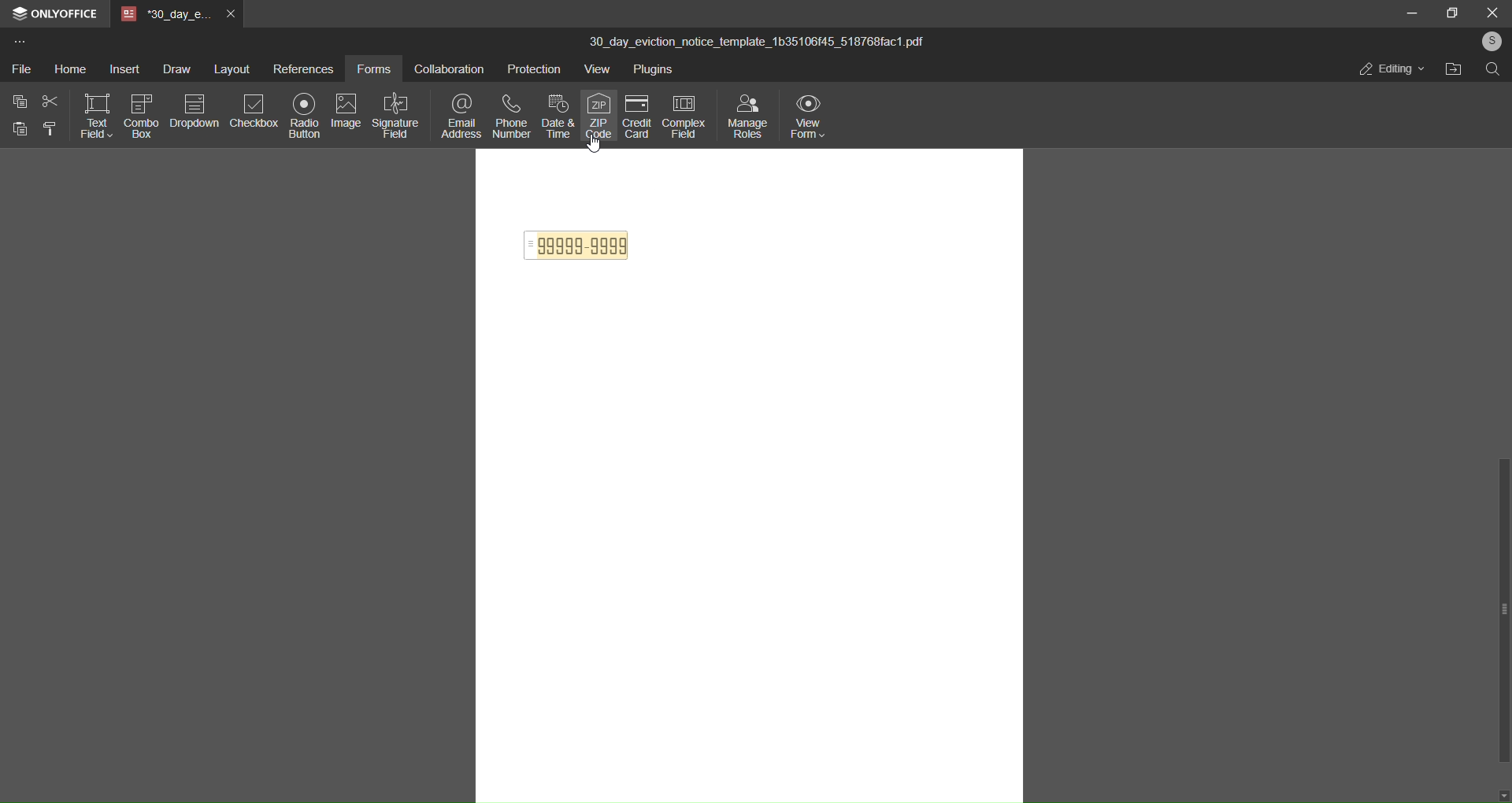 This screenshot has height=803, width=1512. Describe the element at coordinates (1509, 477) in the screenshot. I see `scroll bar` at that location.